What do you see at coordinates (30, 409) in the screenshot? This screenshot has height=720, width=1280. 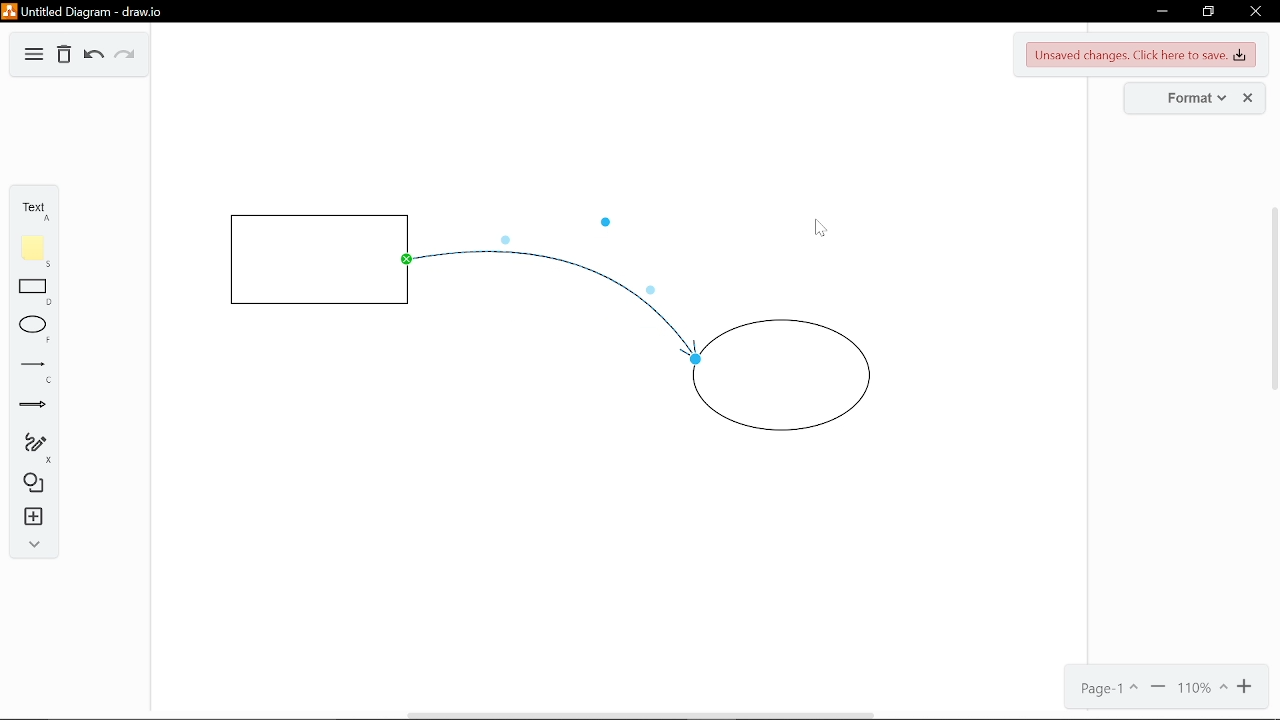 I see `Arrow` at bounding box center [30, 409].